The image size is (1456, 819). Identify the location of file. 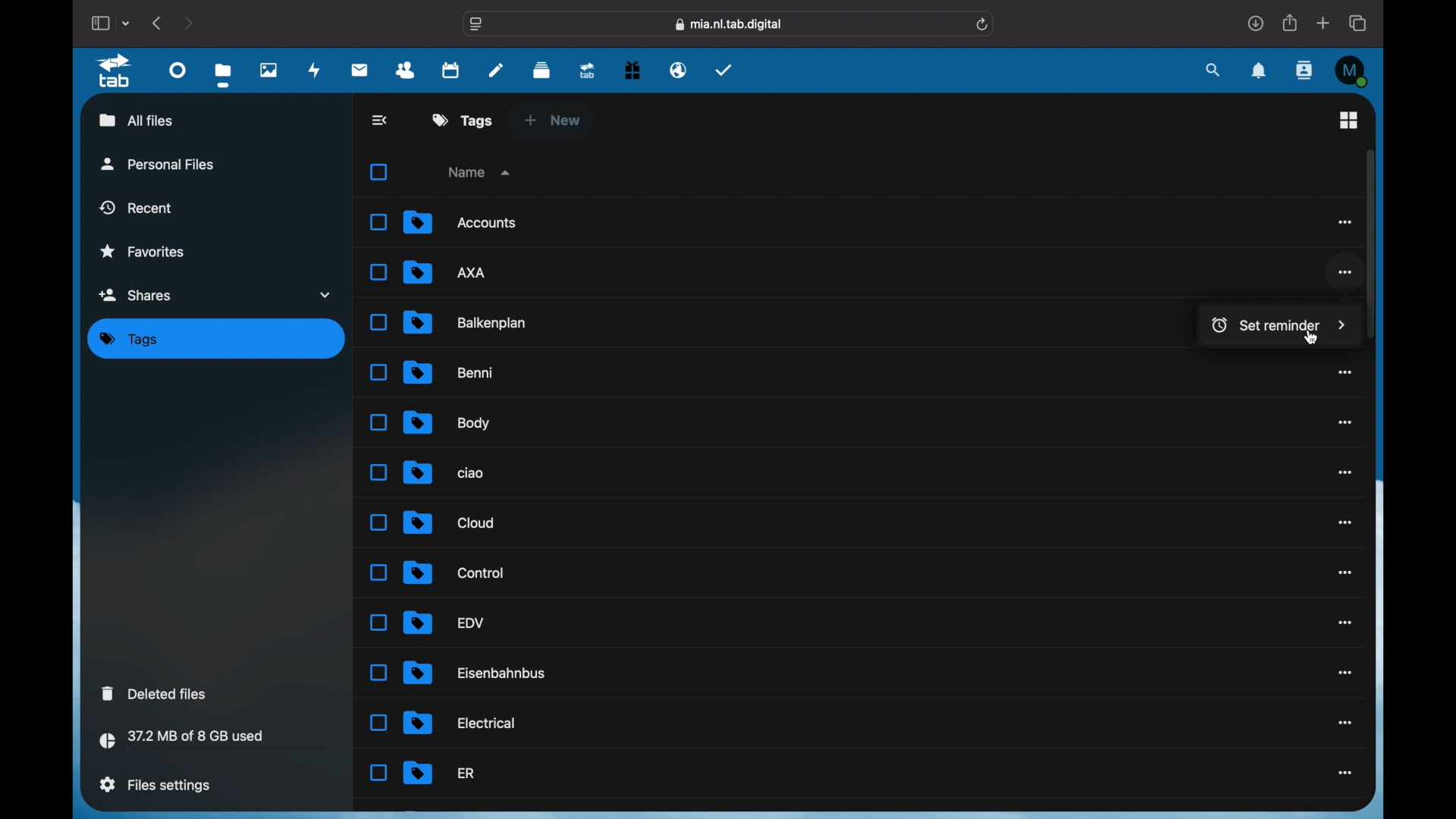
(450, 373).